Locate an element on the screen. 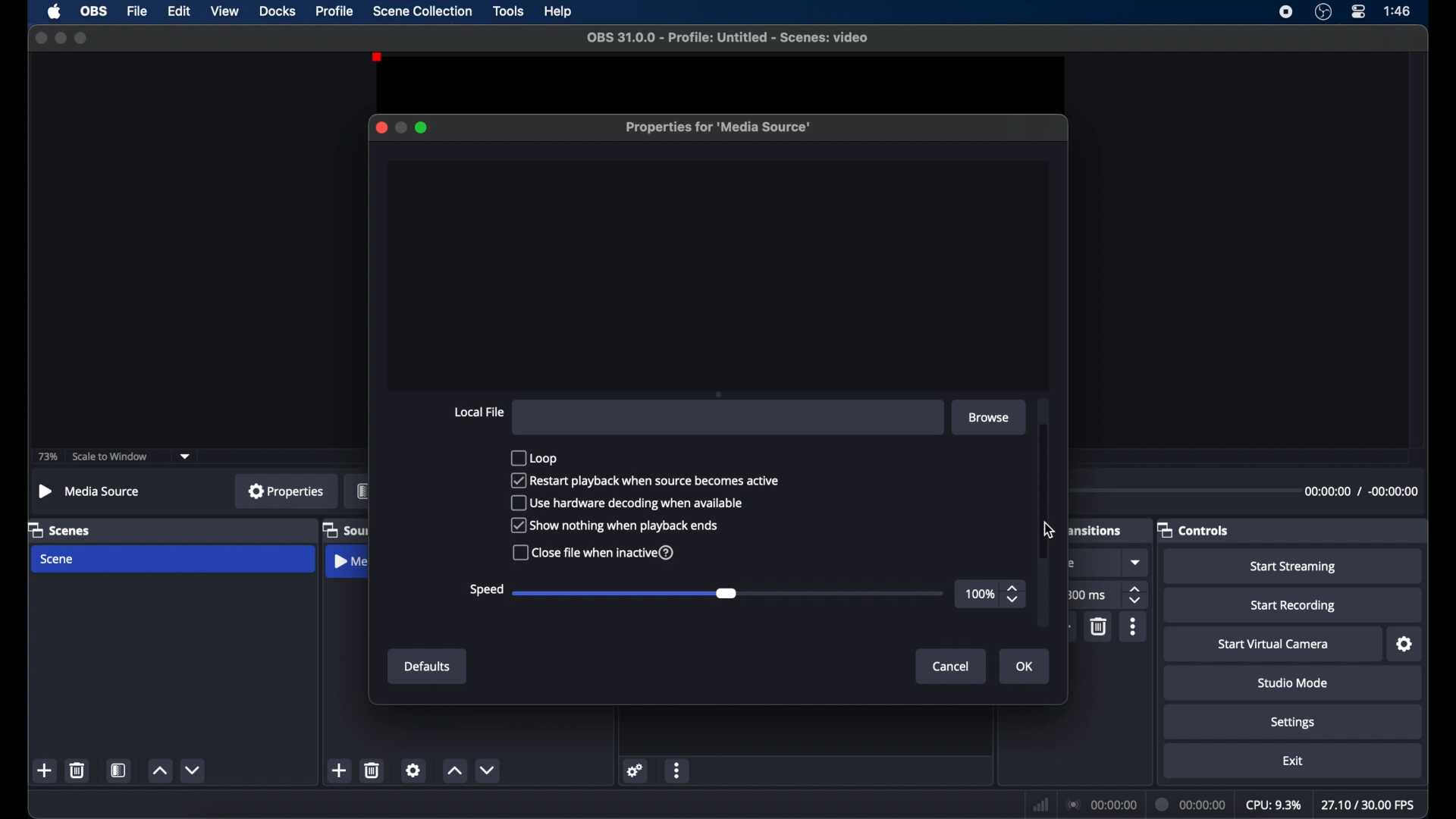 The height and width of the screenshot is (819, 1456). properties for media source is located at coordinates (719, 127).